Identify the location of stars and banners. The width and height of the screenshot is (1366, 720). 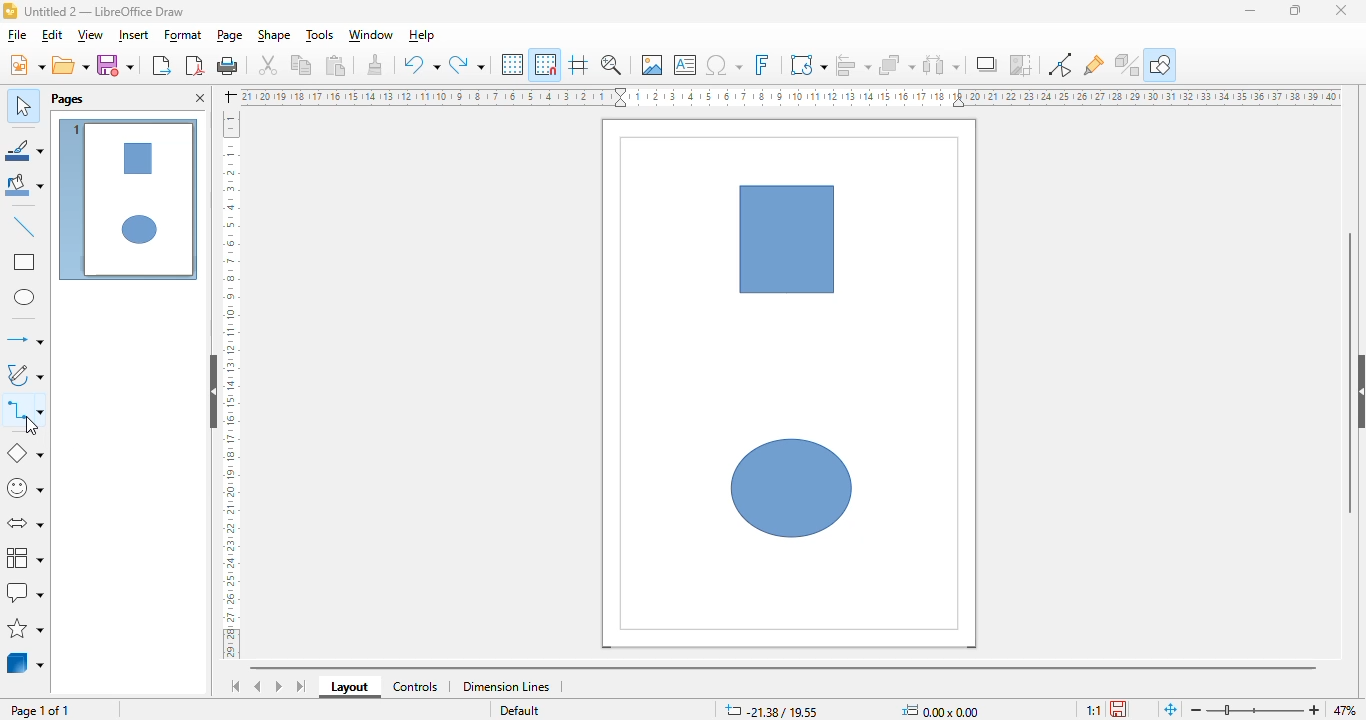
(27, 628).